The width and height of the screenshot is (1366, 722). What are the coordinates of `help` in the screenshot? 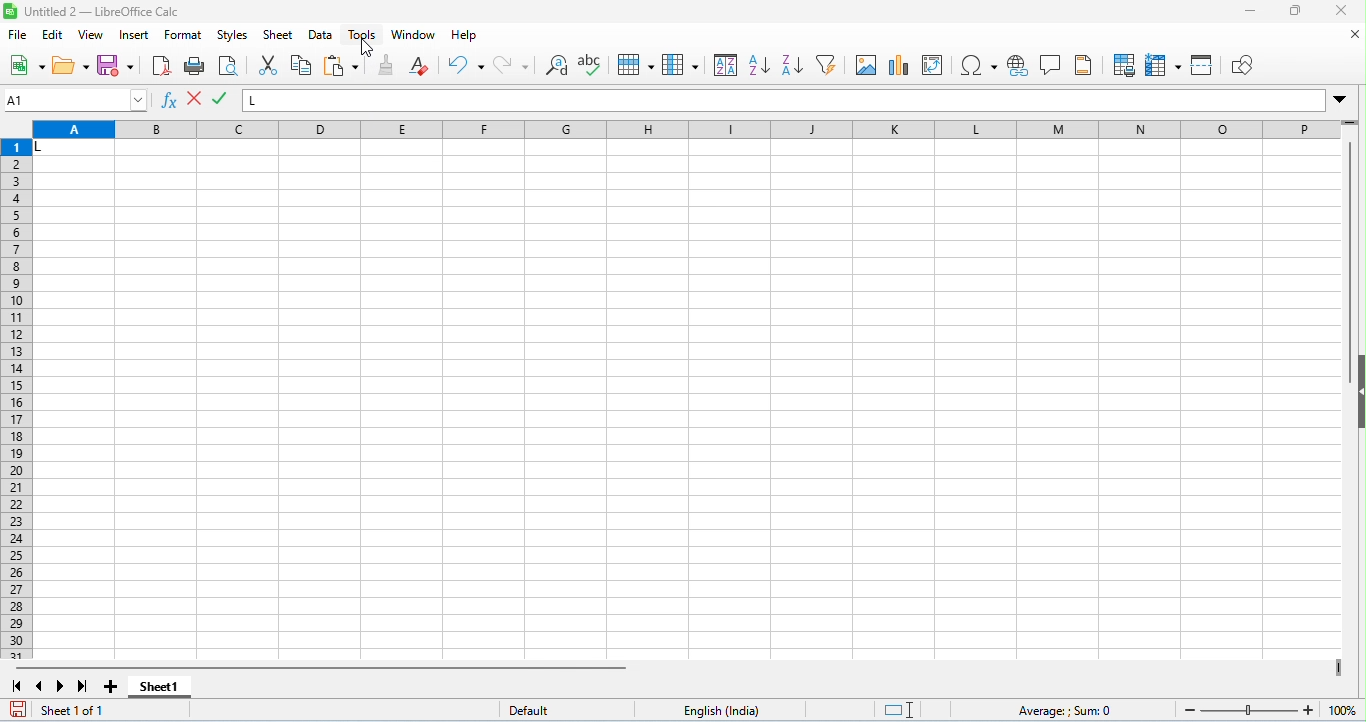 It's located at (465, 37).